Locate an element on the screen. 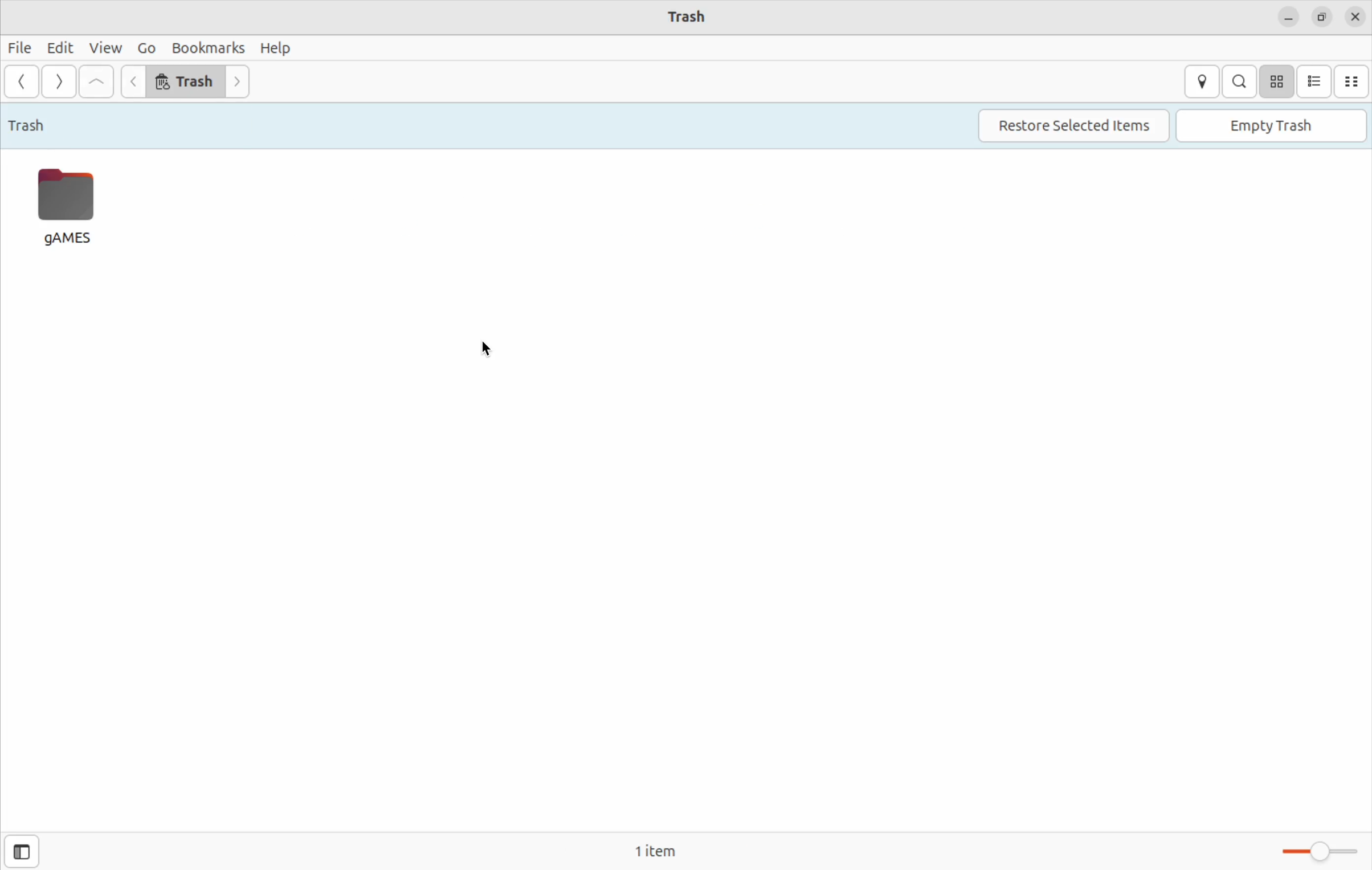 The width and height of the screenshot is (1372, 870). toggle zoom is located at coordinates (1314, 849).